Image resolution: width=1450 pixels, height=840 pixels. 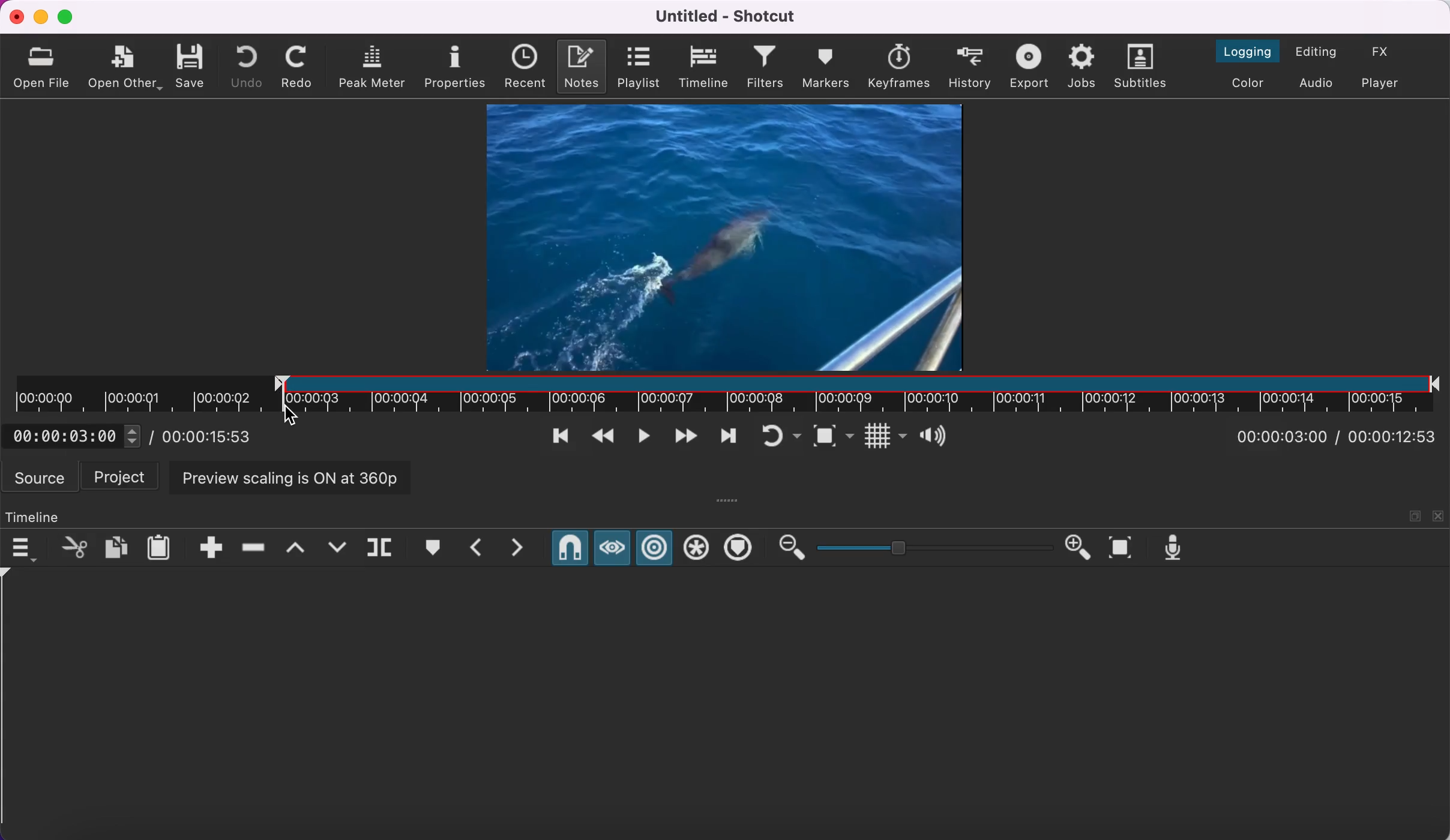 What do you see at coordinates (44, 64) in the screenshot?
I see `open file` at bounding box center [44, 64].